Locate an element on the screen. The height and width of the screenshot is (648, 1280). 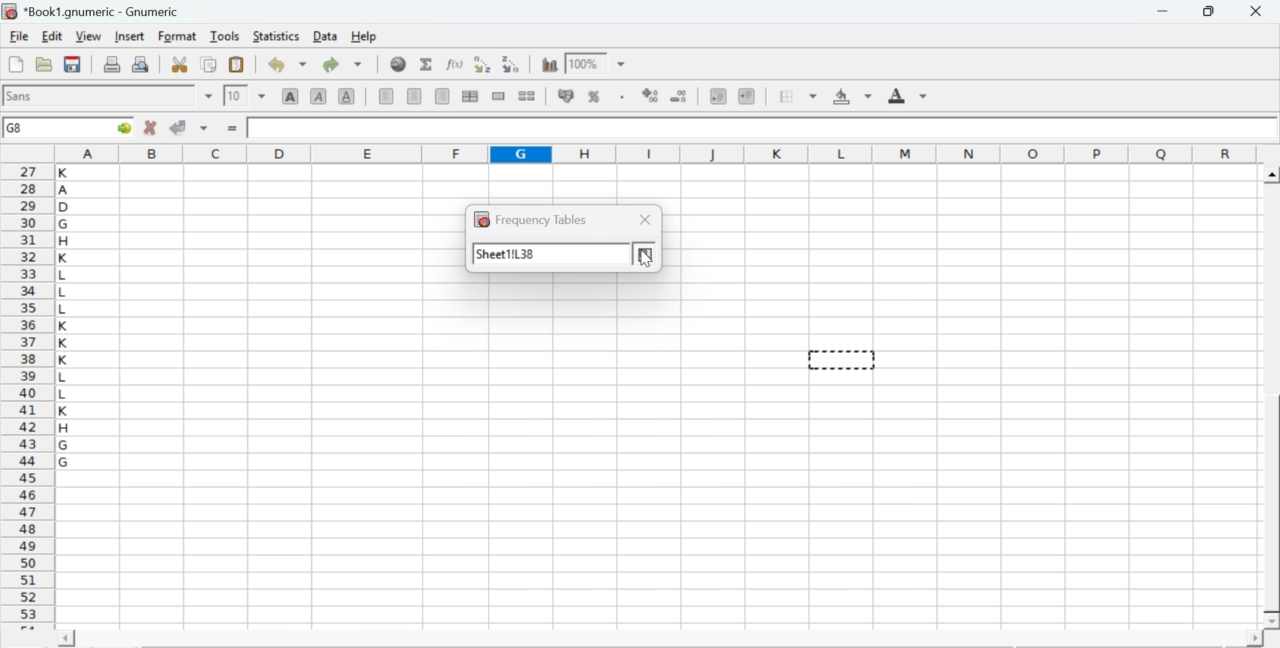
minimize is located at coordinates (1164, 11).